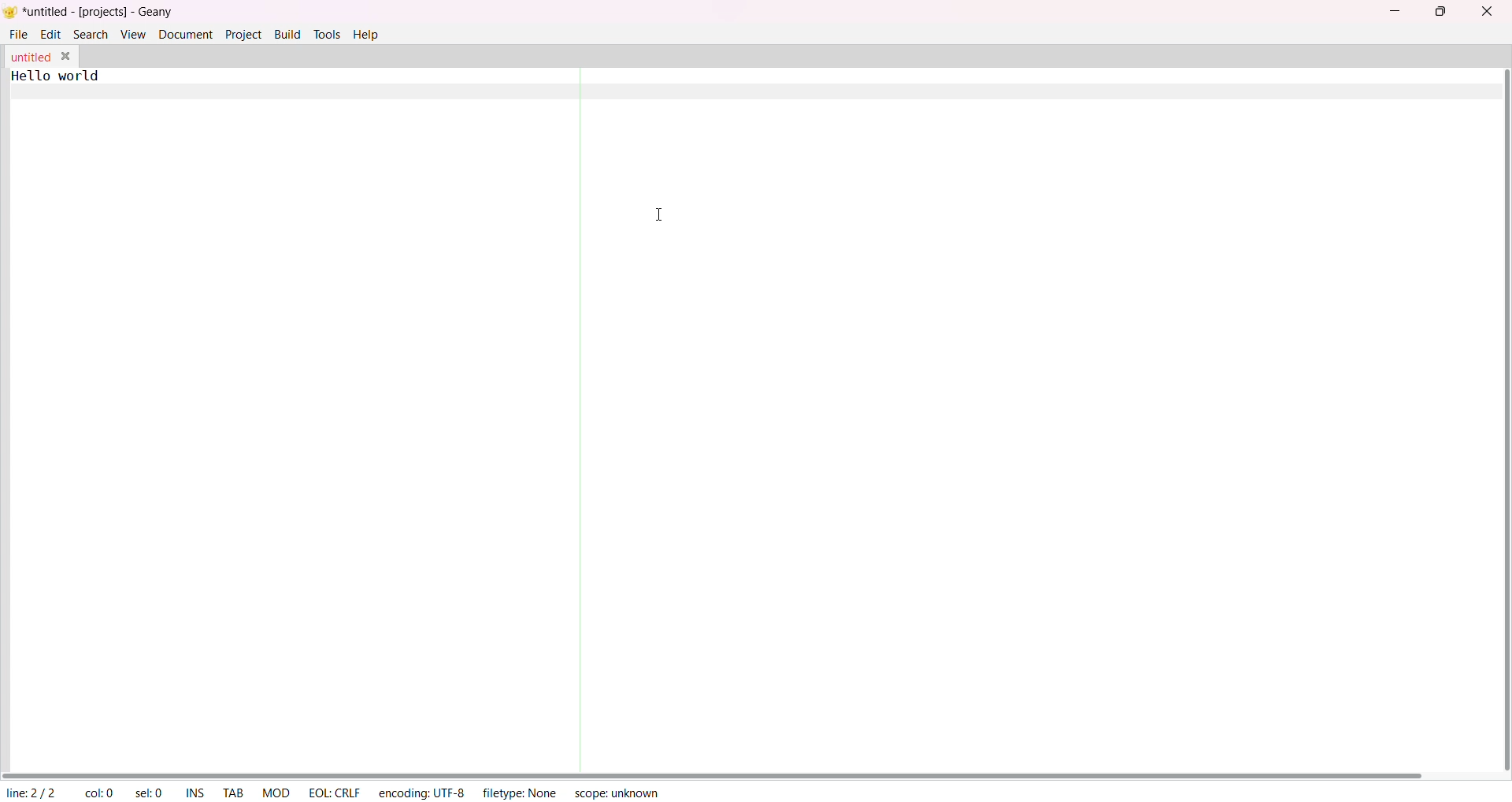 This screenshot has height=802, width=1512. Describe the element at coordinates (243, 33) in the screenshot. I see `project` at that location.